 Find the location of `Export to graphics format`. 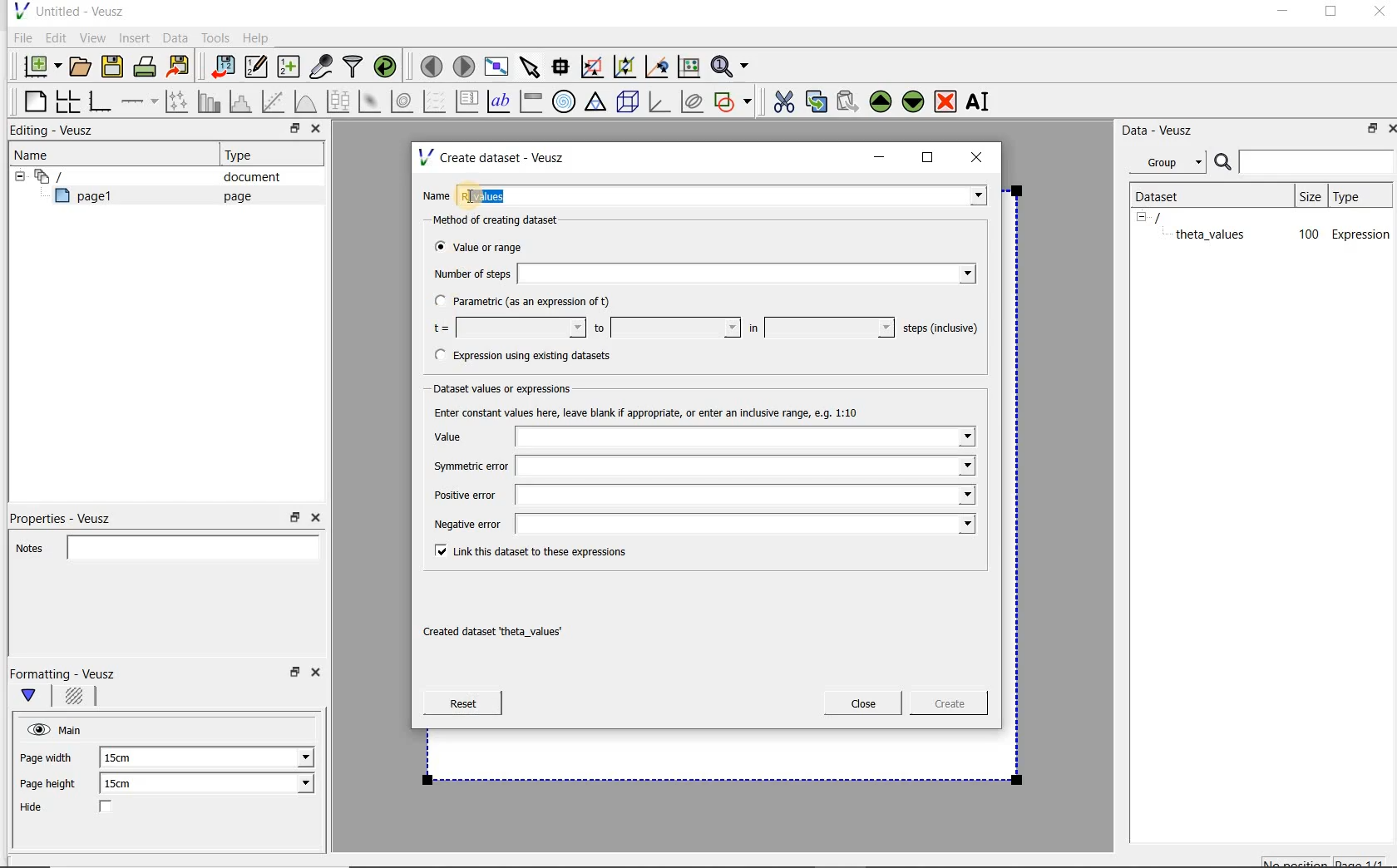

Export to graphics format is located at coordinates (179, 68).